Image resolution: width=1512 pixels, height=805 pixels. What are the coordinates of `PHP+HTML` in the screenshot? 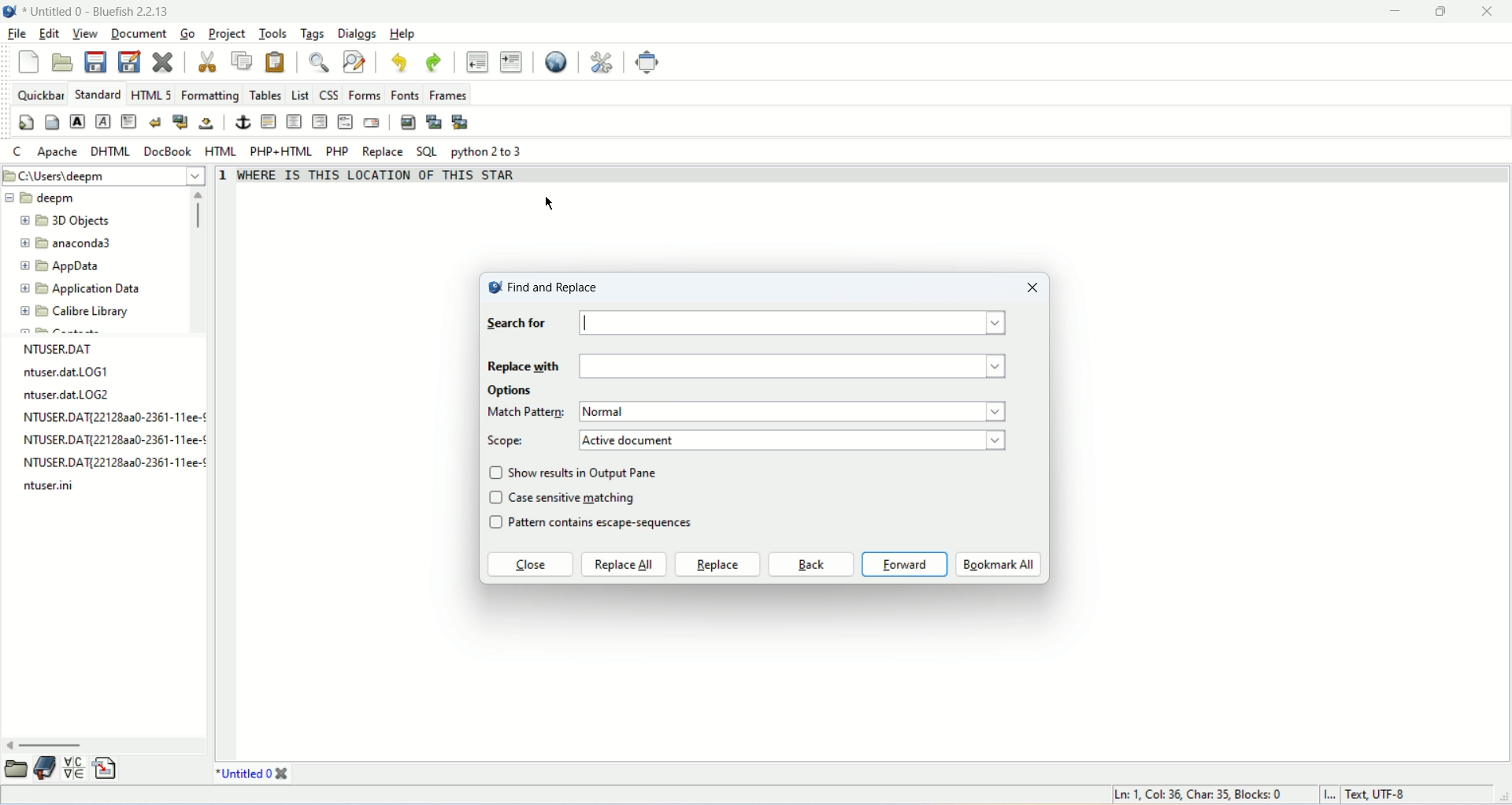 It's located at (281, 152).